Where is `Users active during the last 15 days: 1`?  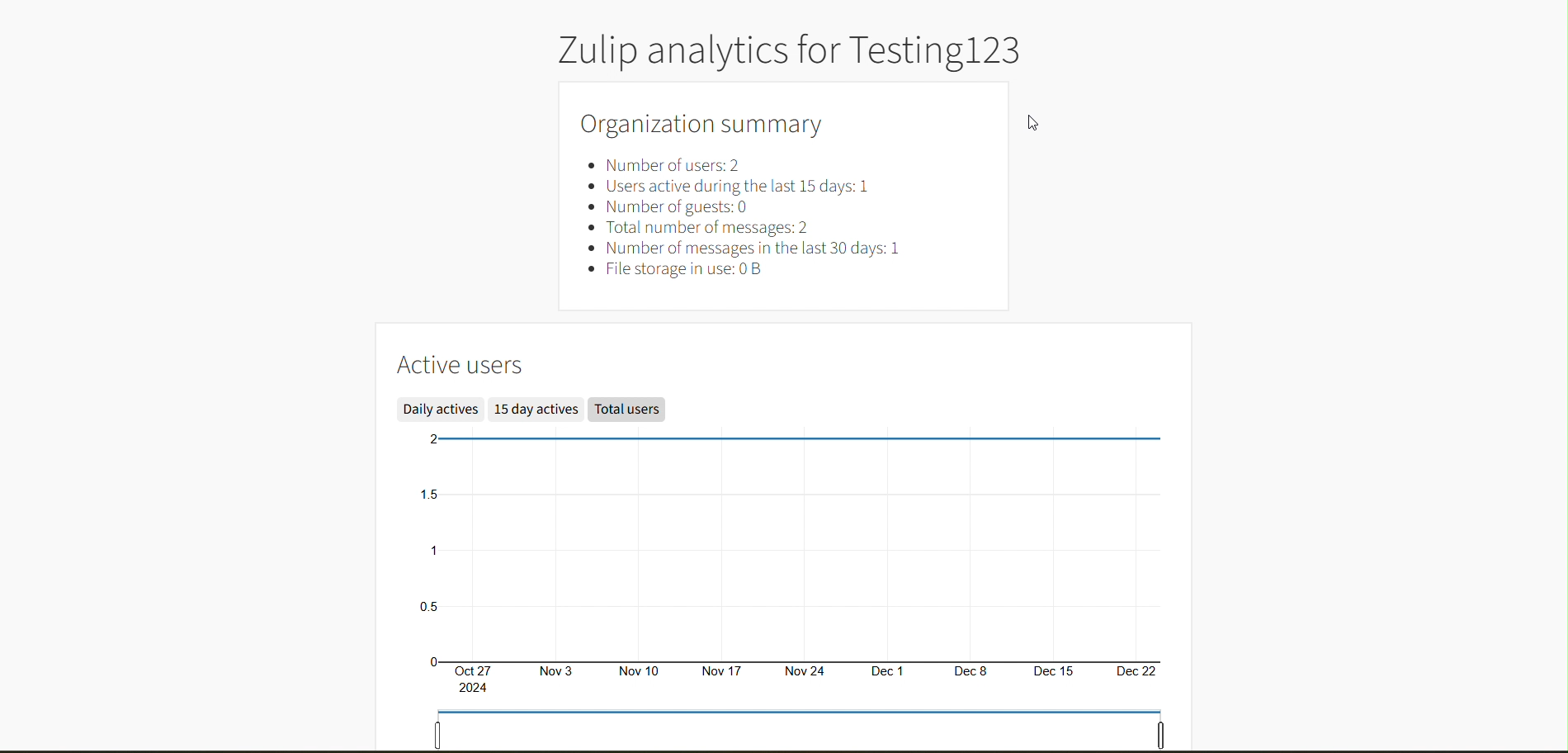 Users active during the last 15 days: 1 is located at coordinates (737, 186).